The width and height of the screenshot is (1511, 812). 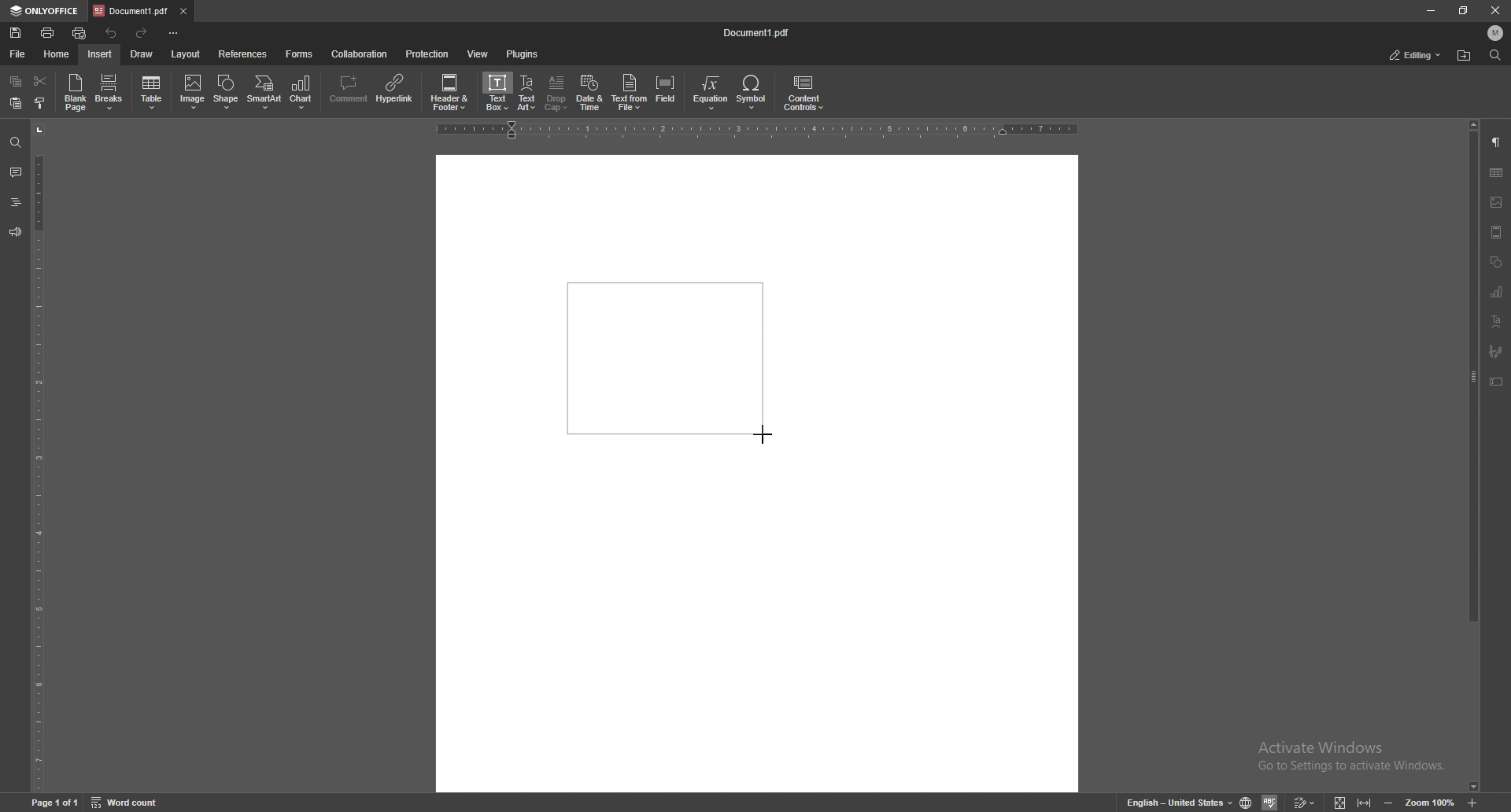 I want to click on text box, so click(x=498, y=91).